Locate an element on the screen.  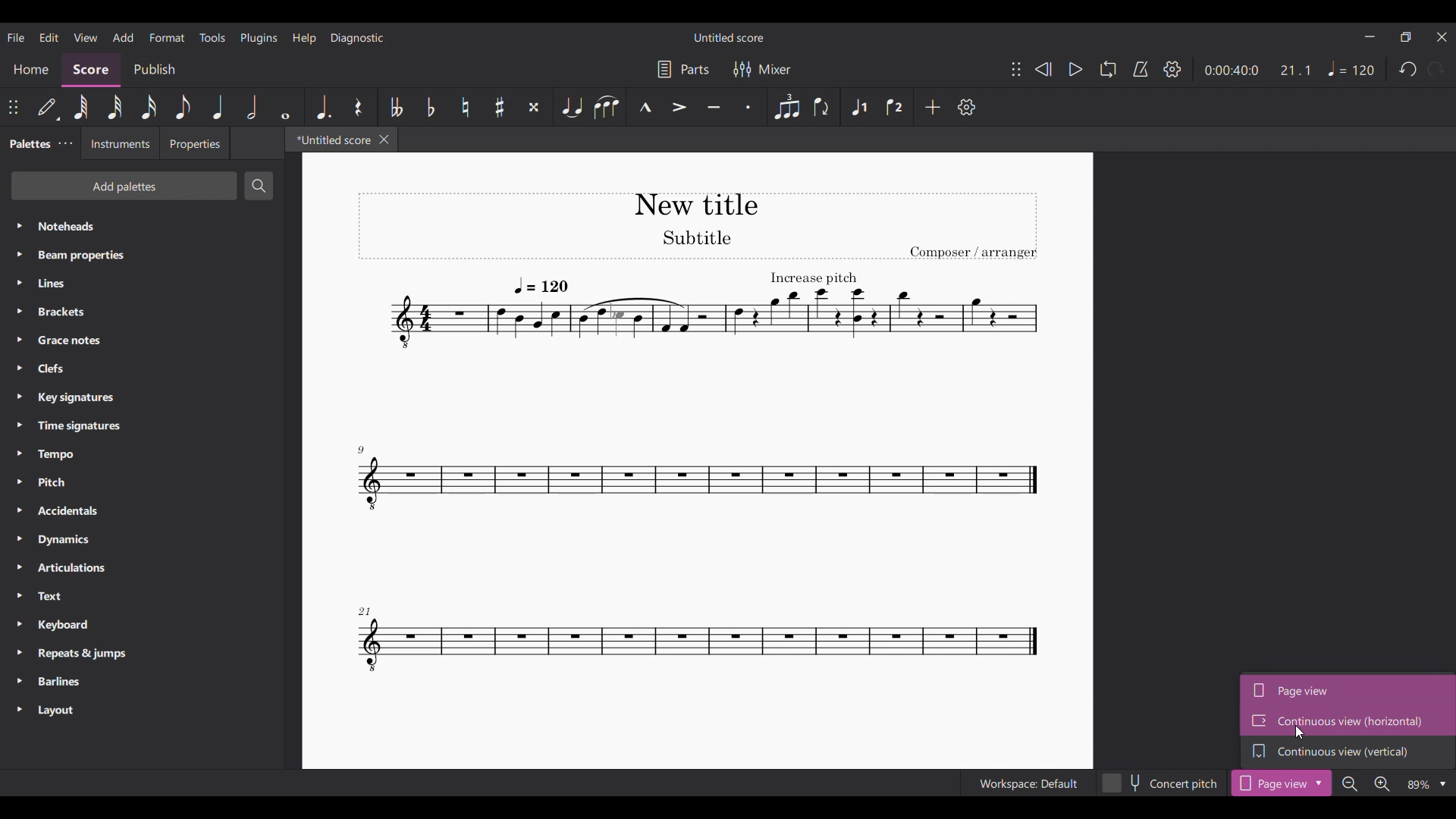
Concert pitch toggle is located at coordinates (1160, 783).